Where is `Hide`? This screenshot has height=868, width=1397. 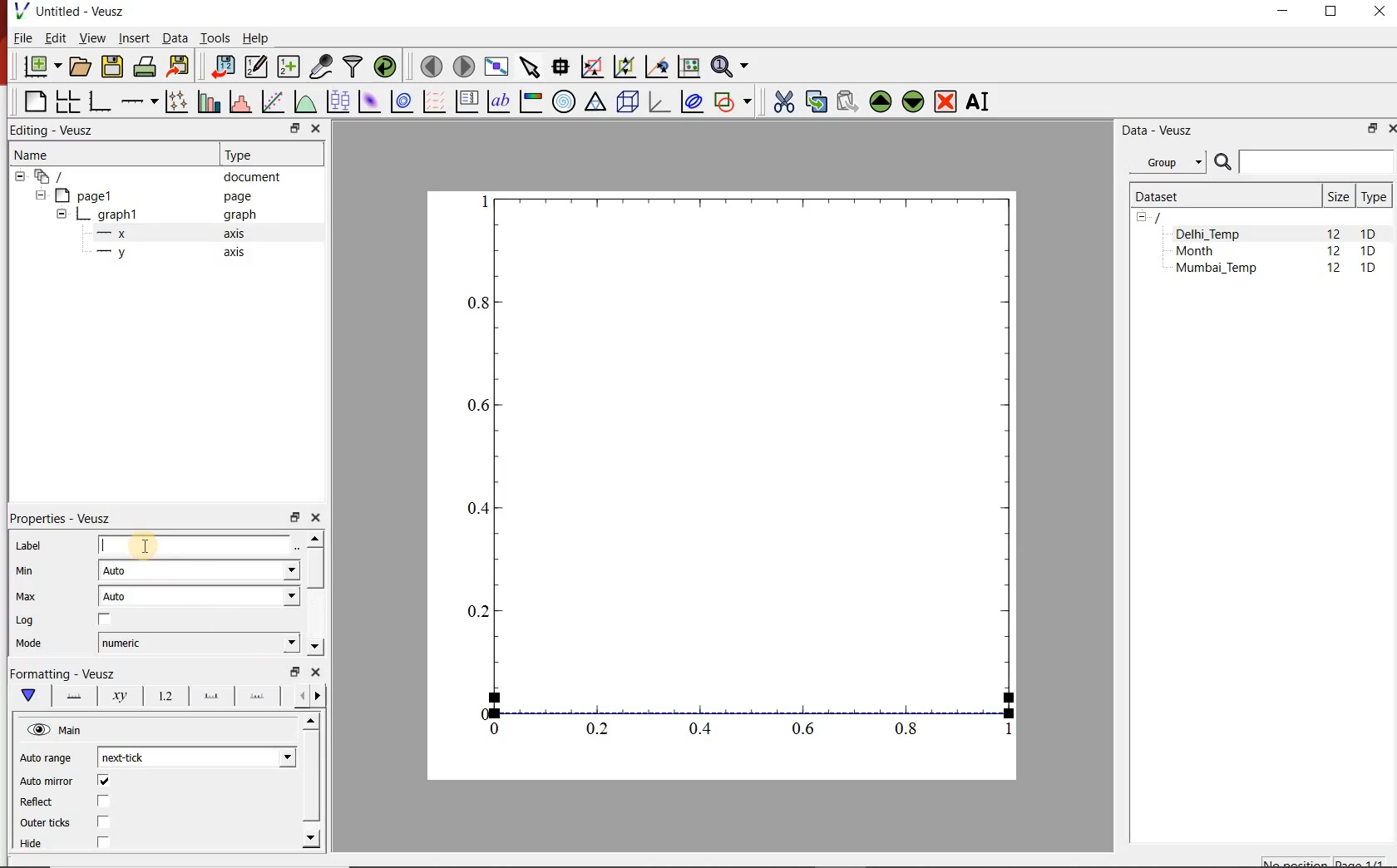
Hide is located at coordinates (34, 845).